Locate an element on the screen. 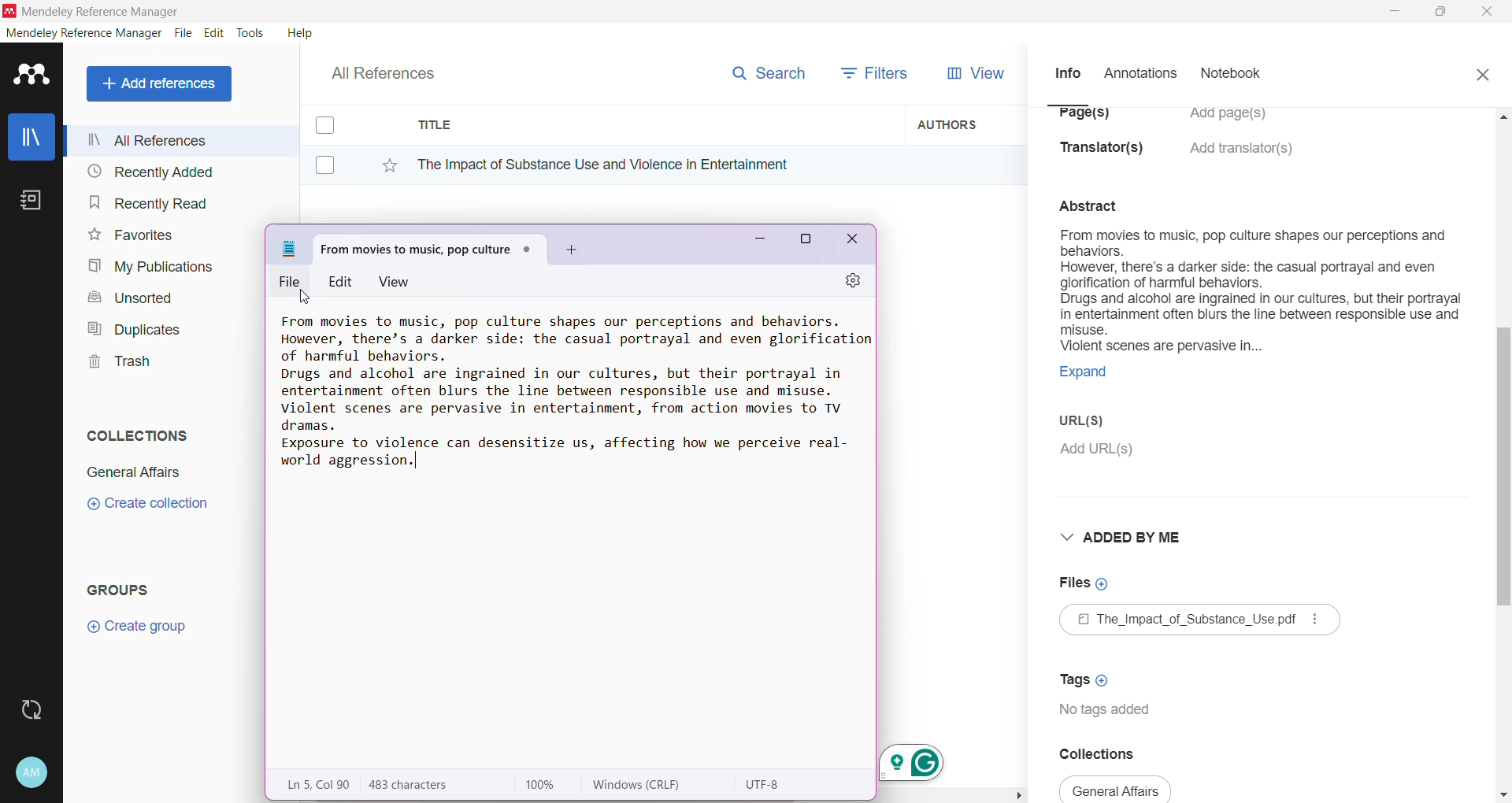 The width and height of the screenshot is (1512, 803). Last Sync is located at coordinates (38, 708).